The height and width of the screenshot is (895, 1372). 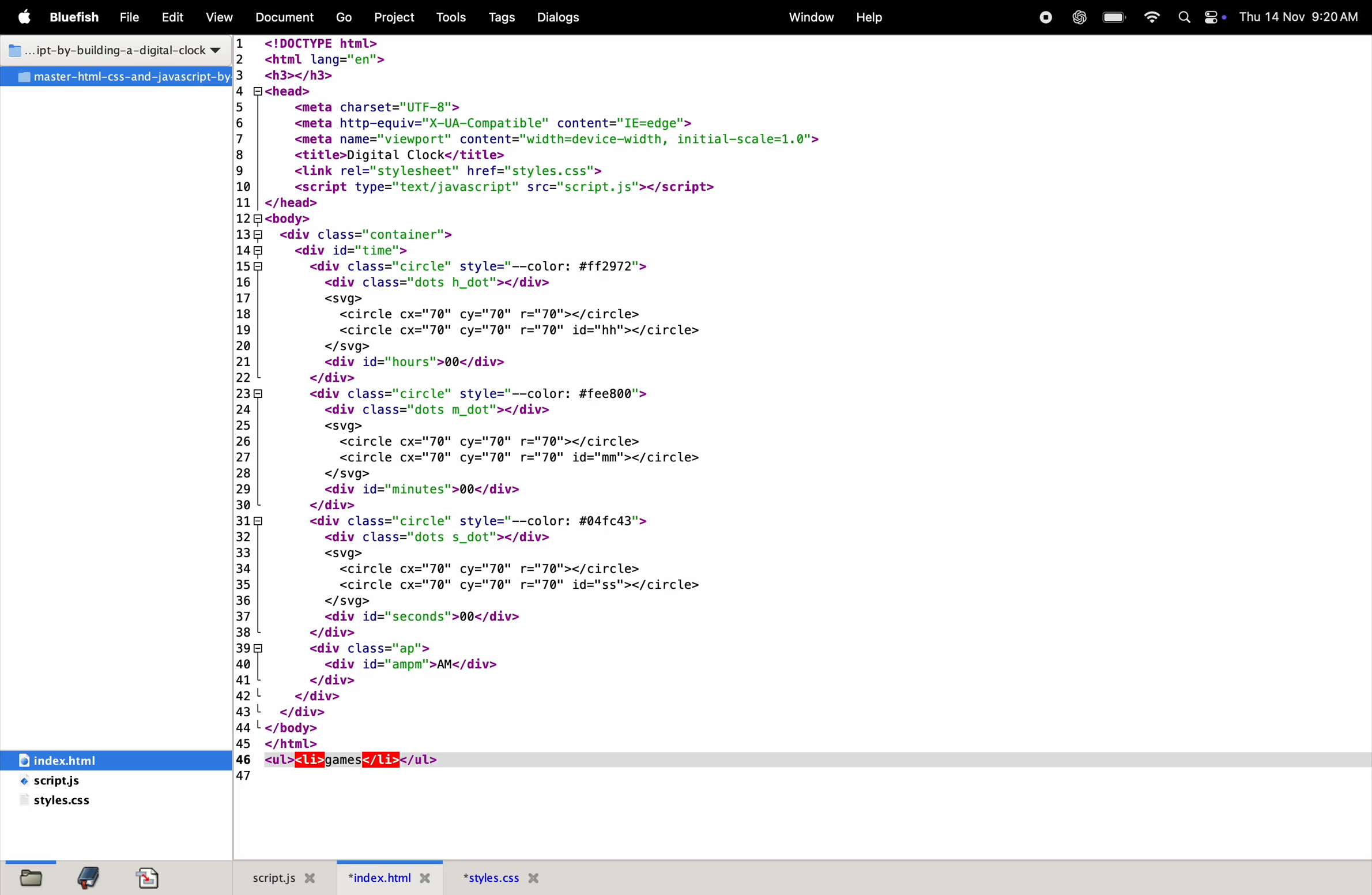 What do you see at coordinates (152, 878) in the screenshot?
I see `document` at bounding box center [152, 878].